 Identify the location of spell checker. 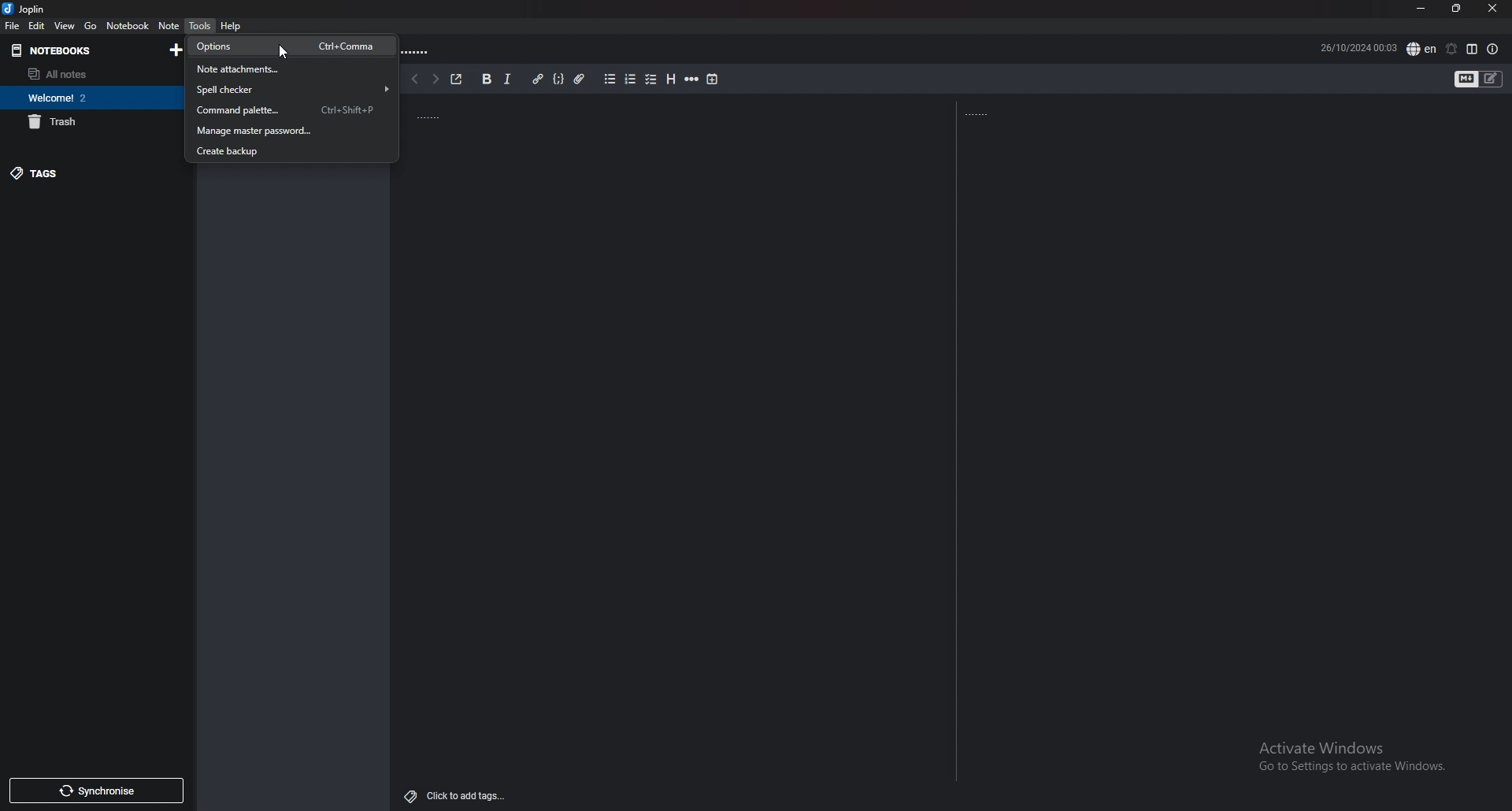
(290, 90).